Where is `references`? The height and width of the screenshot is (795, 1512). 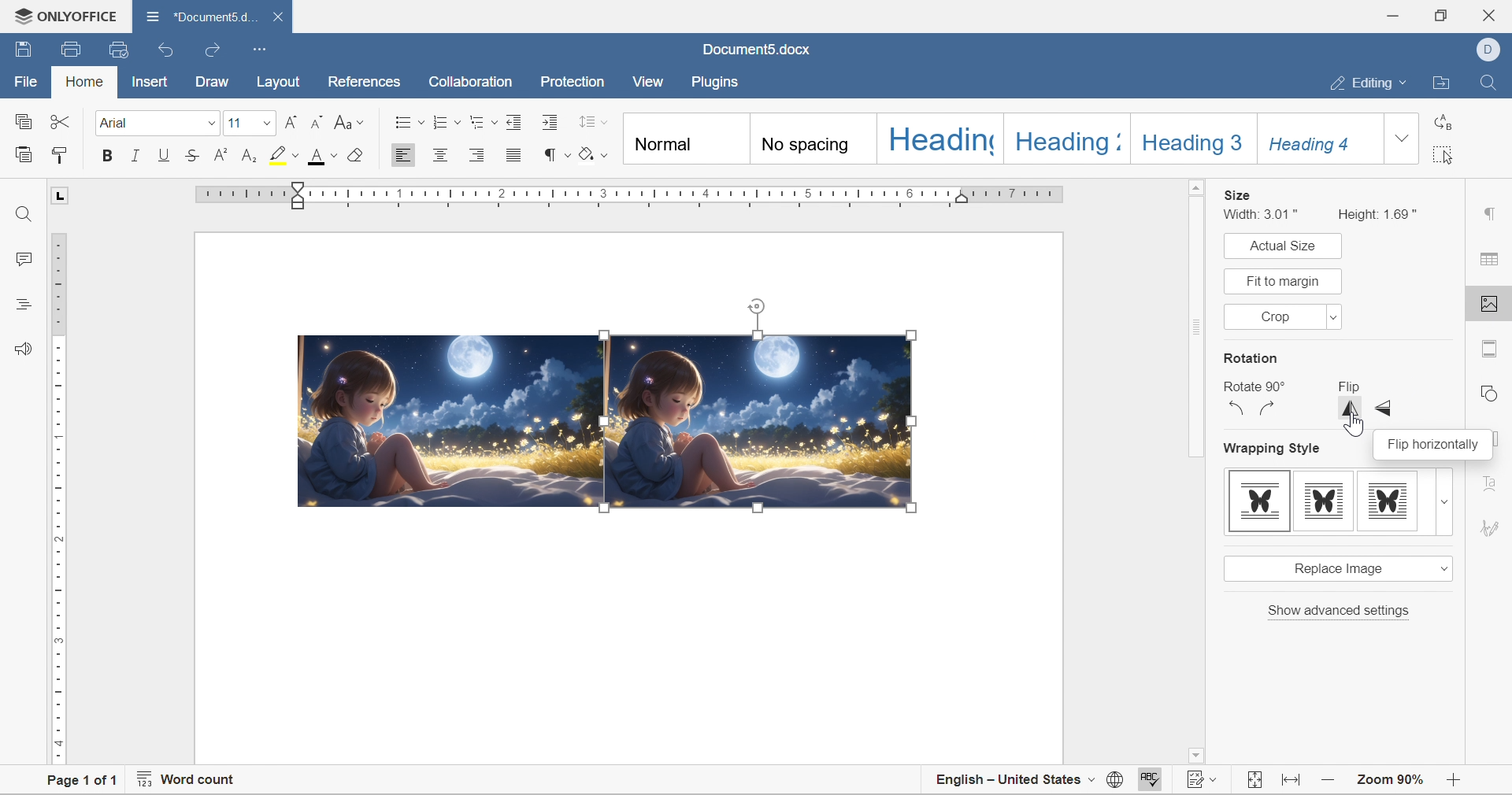 references is located at coordinates (362, 83).